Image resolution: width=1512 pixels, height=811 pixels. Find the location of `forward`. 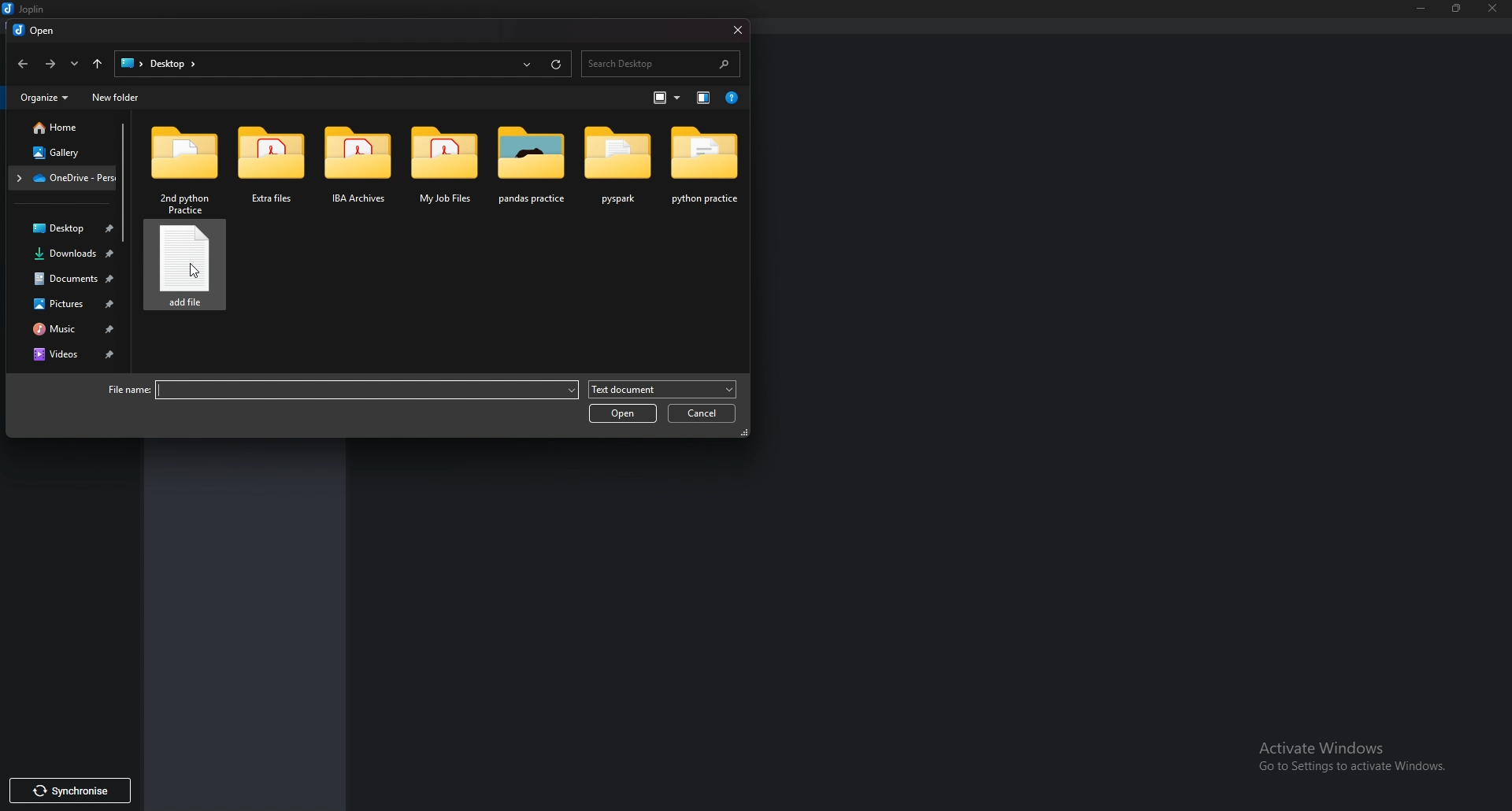

forward is located at coordinates (52, 63).